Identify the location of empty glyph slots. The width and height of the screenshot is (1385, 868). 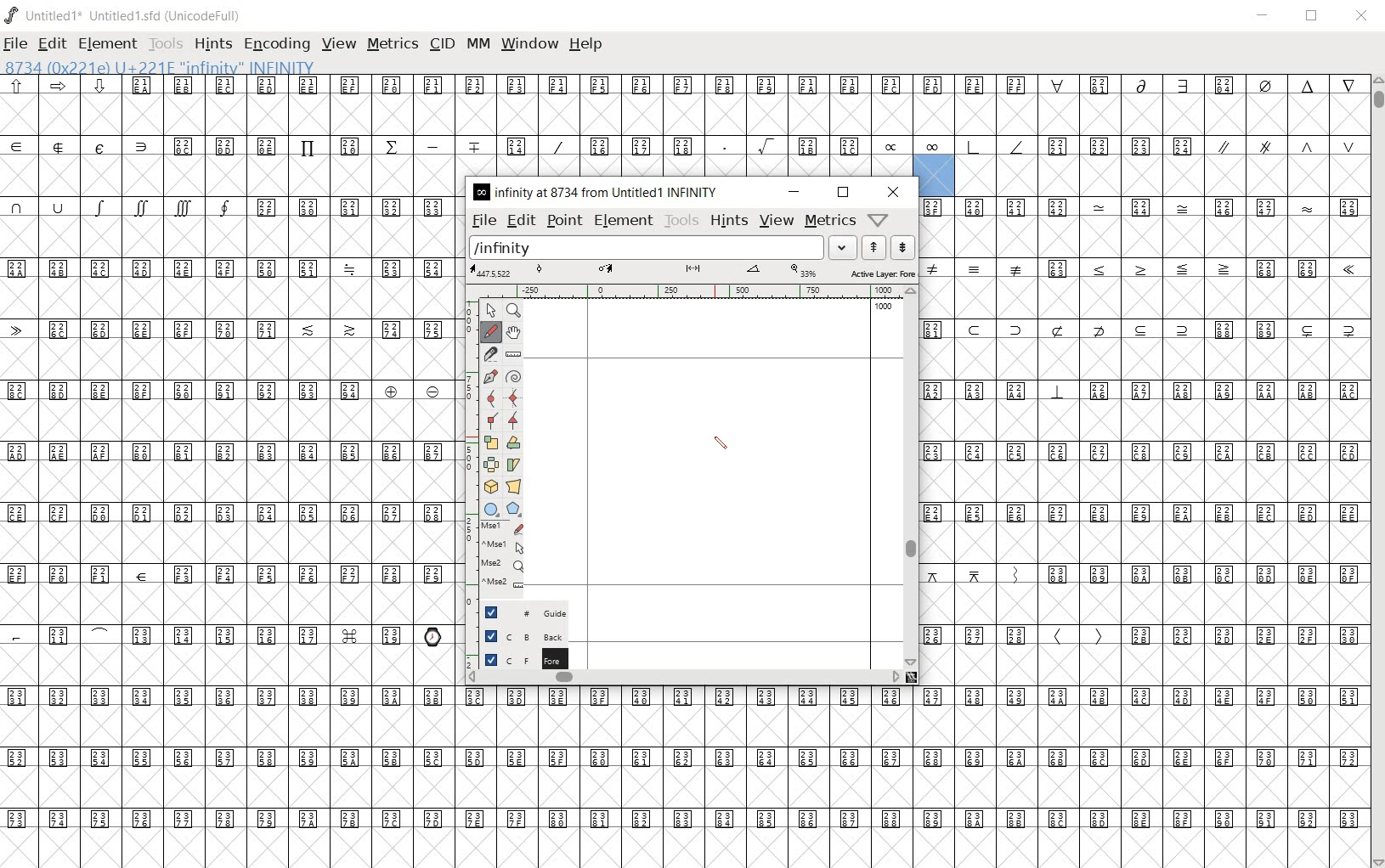
(229, 298).